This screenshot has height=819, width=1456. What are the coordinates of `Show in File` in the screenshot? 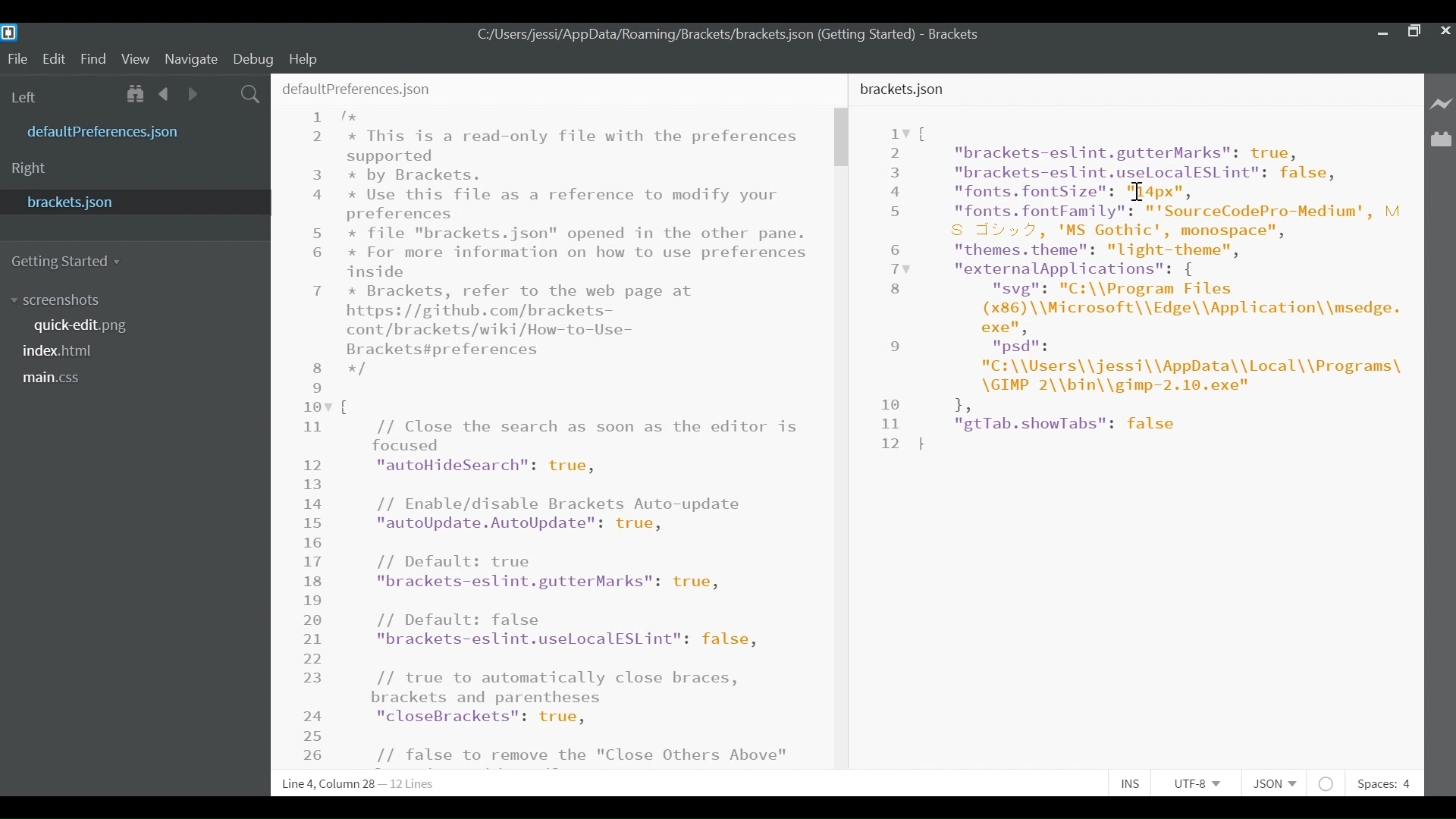 It's located at (136, 95).